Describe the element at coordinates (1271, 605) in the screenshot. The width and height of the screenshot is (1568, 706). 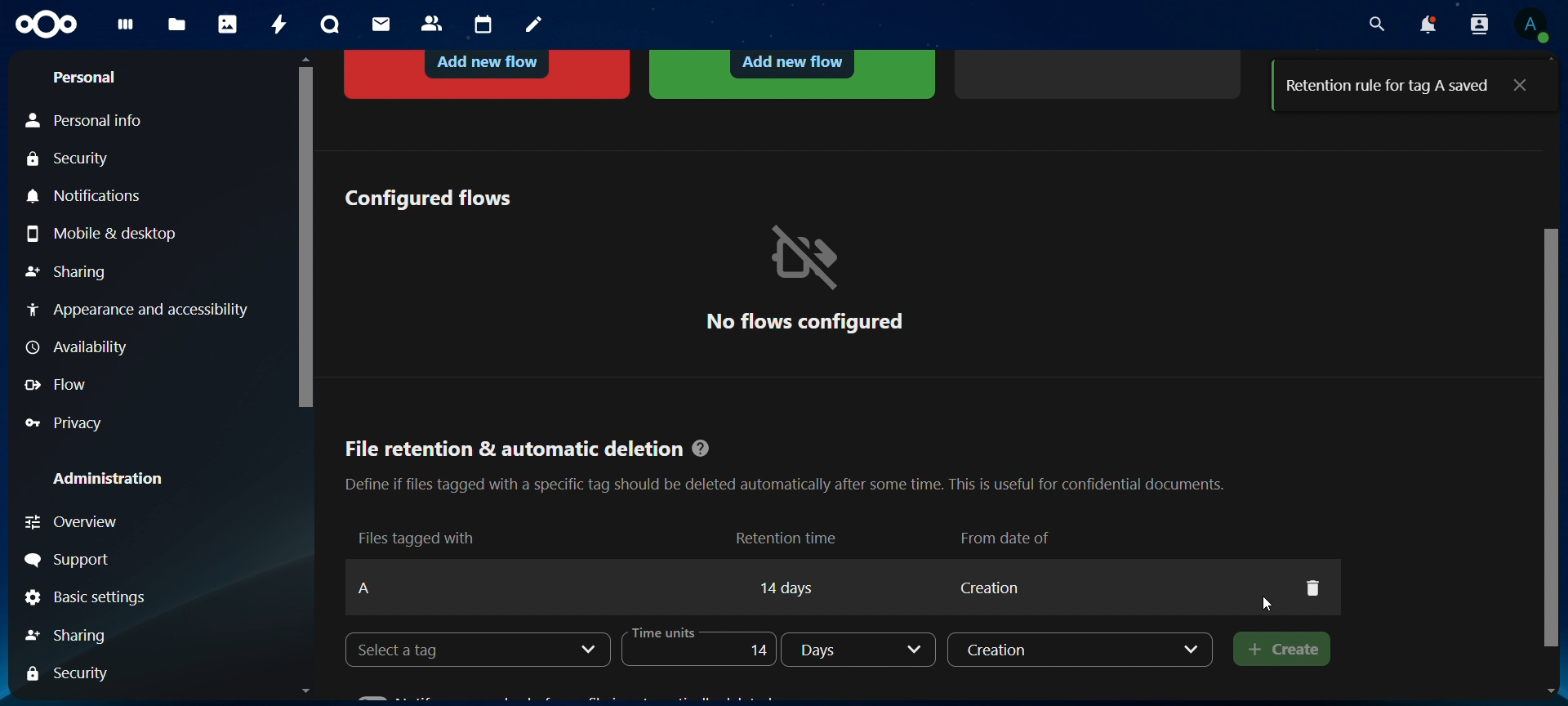
I see `cursor` at that location.